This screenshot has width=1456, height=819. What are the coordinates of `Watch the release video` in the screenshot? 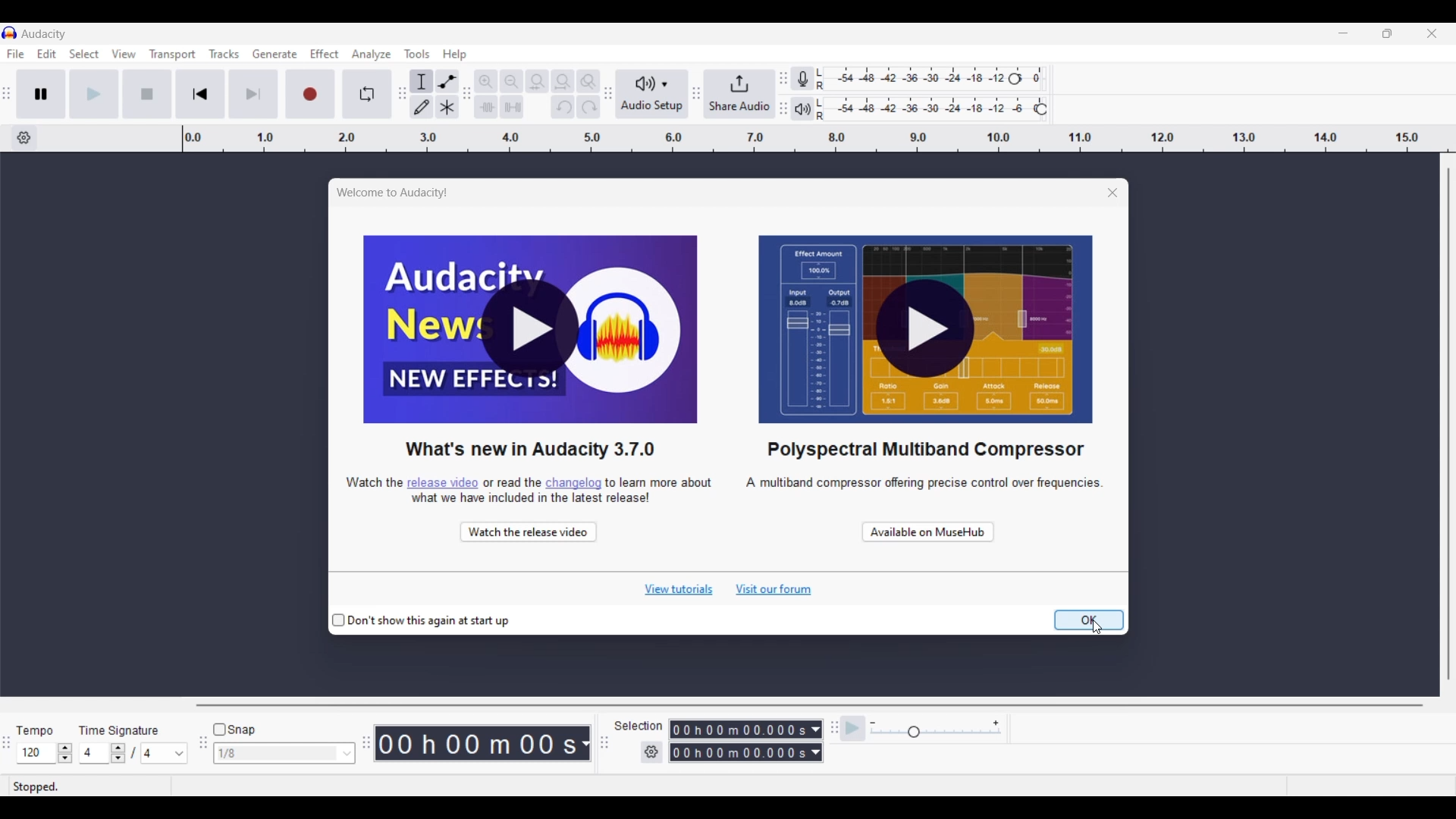 It's located at (527, 529).